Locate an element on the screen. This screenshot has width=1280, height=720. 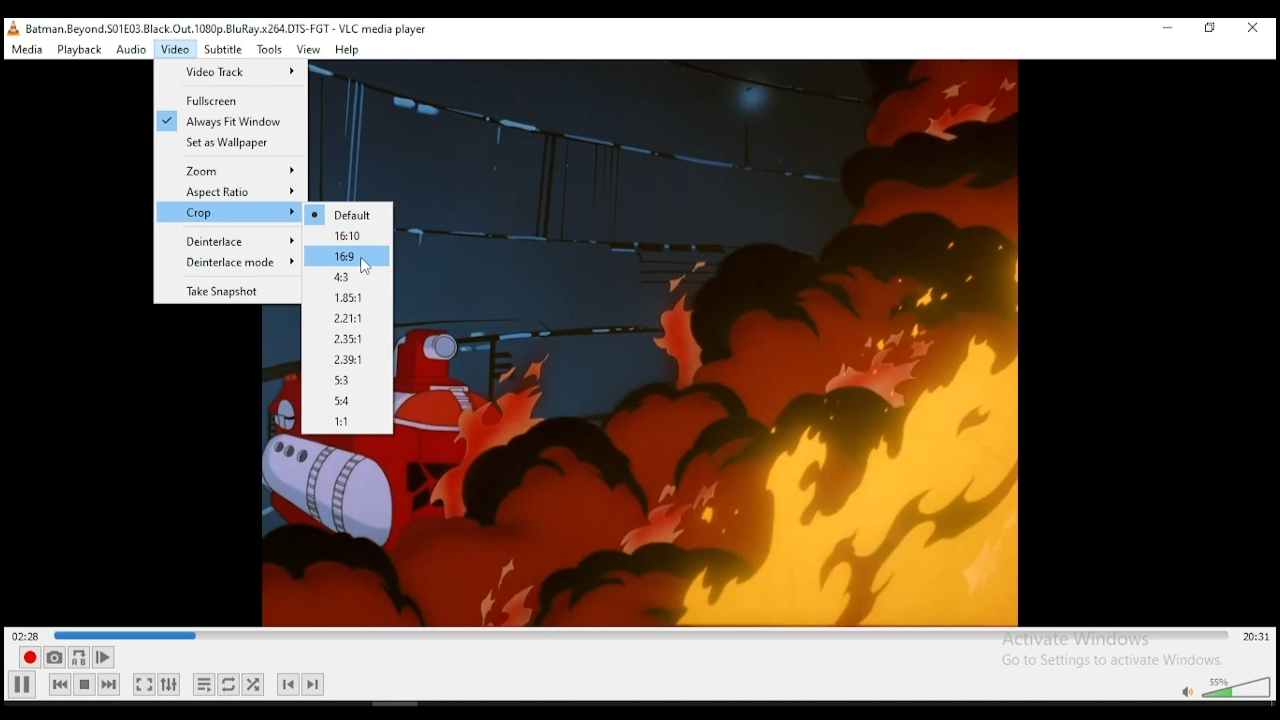
Crop is located at coordinates (230, 213).